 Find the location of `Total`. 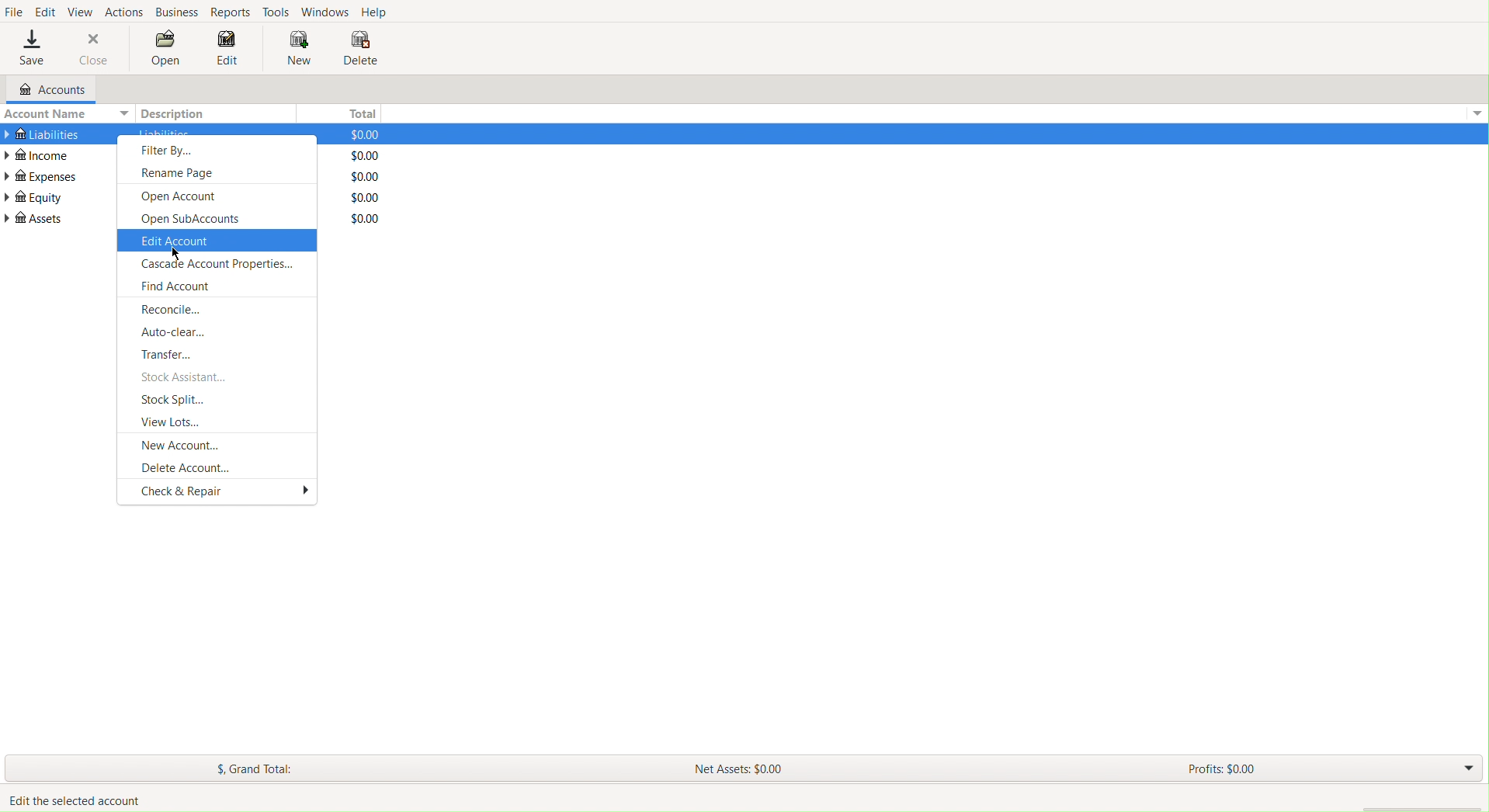

Total is located at coordinates (359, 111).